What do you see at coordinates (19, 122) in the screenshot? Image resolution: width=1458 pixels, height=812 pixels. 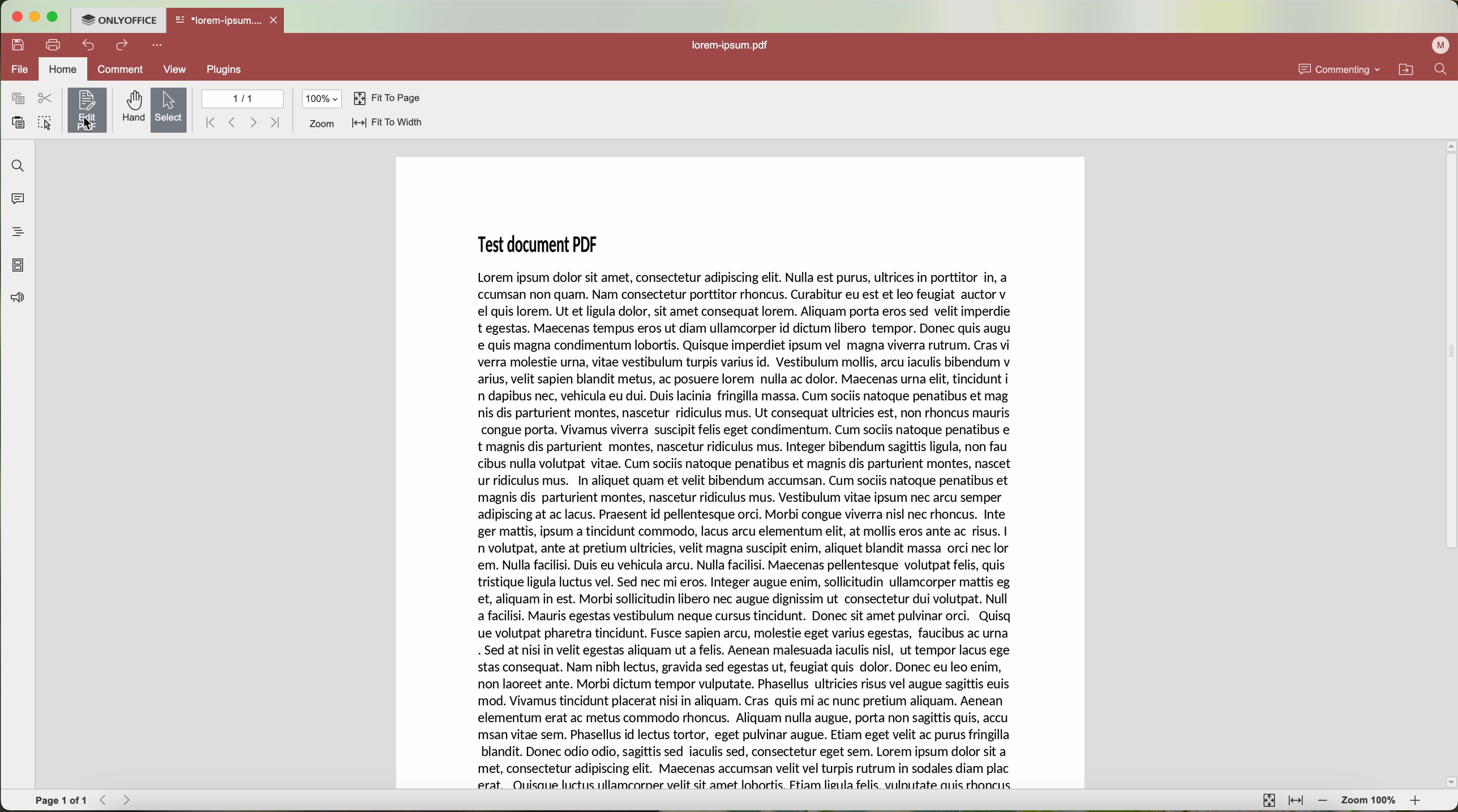 I see `paste` at bounding box center [19, 122].